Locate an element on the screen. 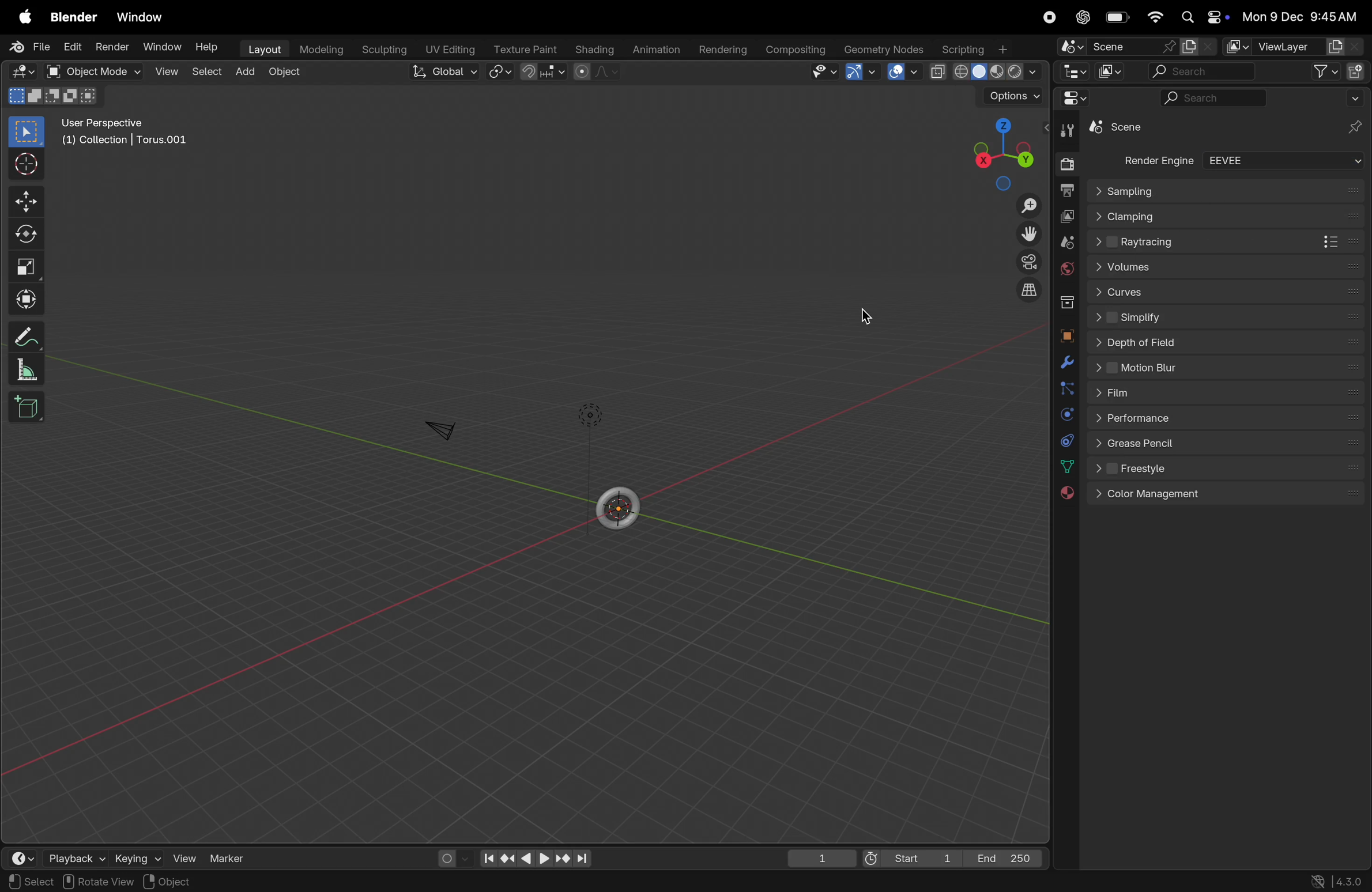 The height and width of the screenshot is (892, 1372). scale is located at coordinates (28, 371).